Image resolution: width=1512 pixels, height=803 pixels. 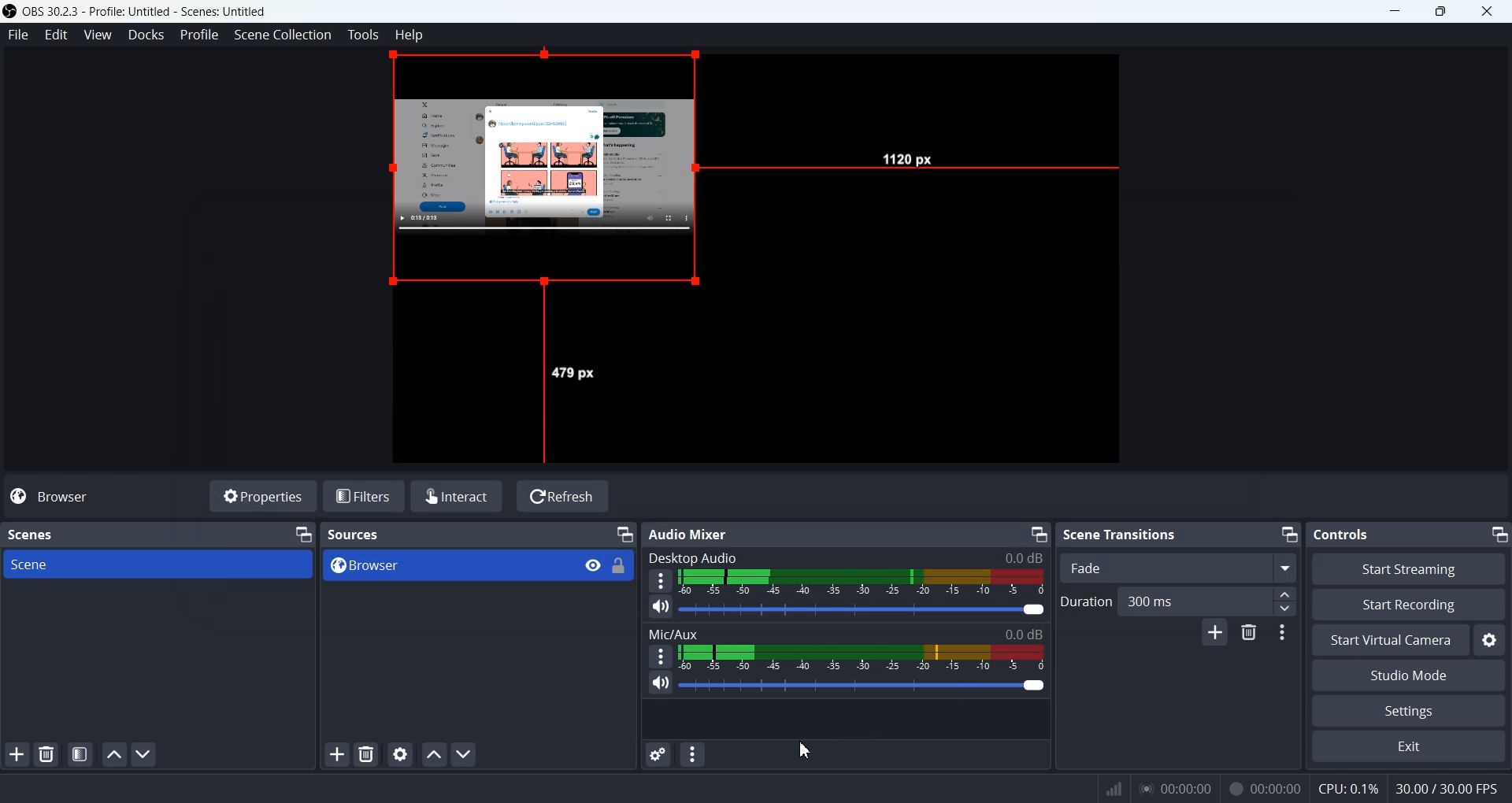 I want to click on Cursor, so click(x=806, y=750).